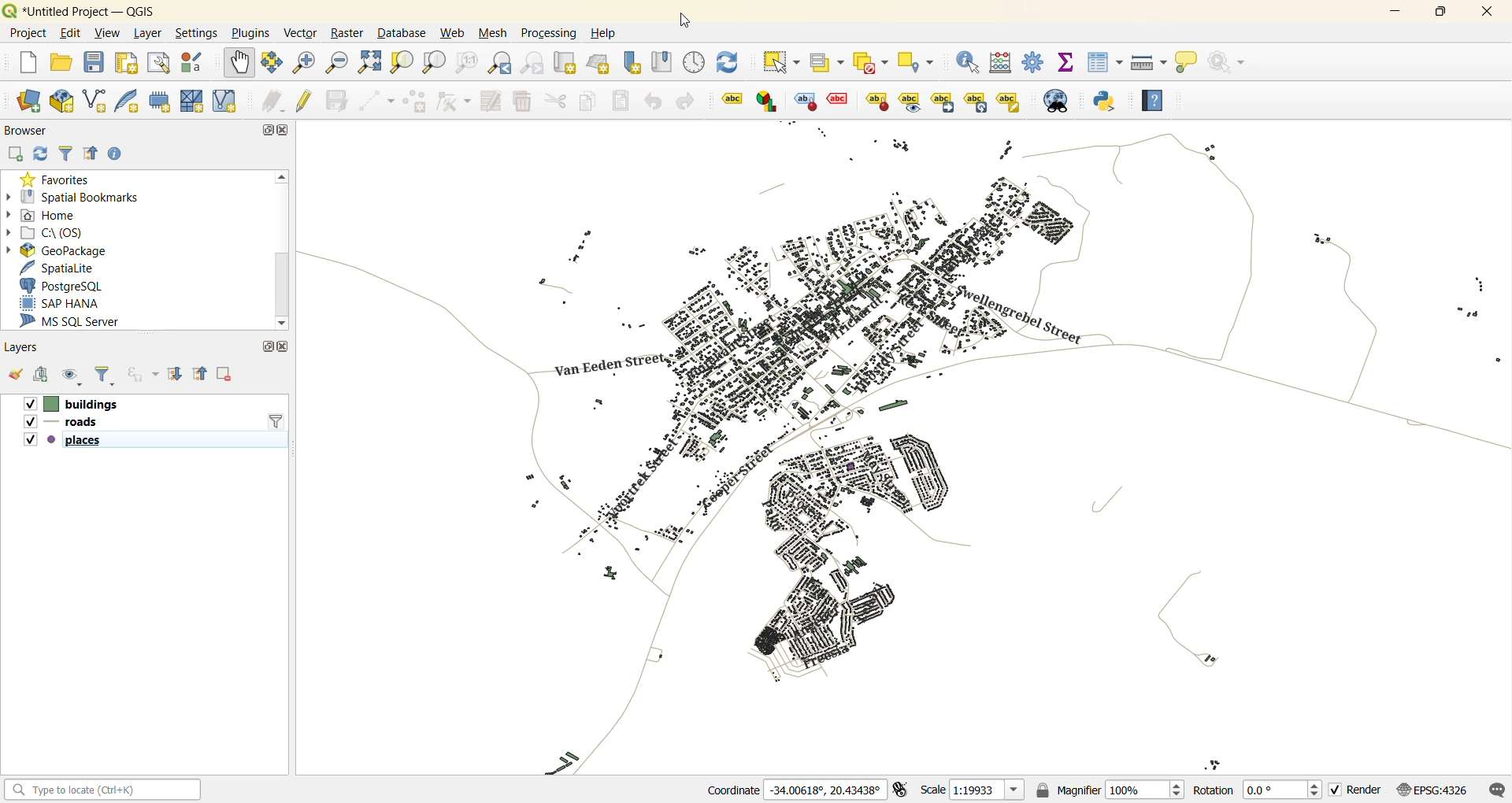  What do you see at coordinates (58, 250) in the screenshot?
I see `geopackage` at bounding box center [58, 250].